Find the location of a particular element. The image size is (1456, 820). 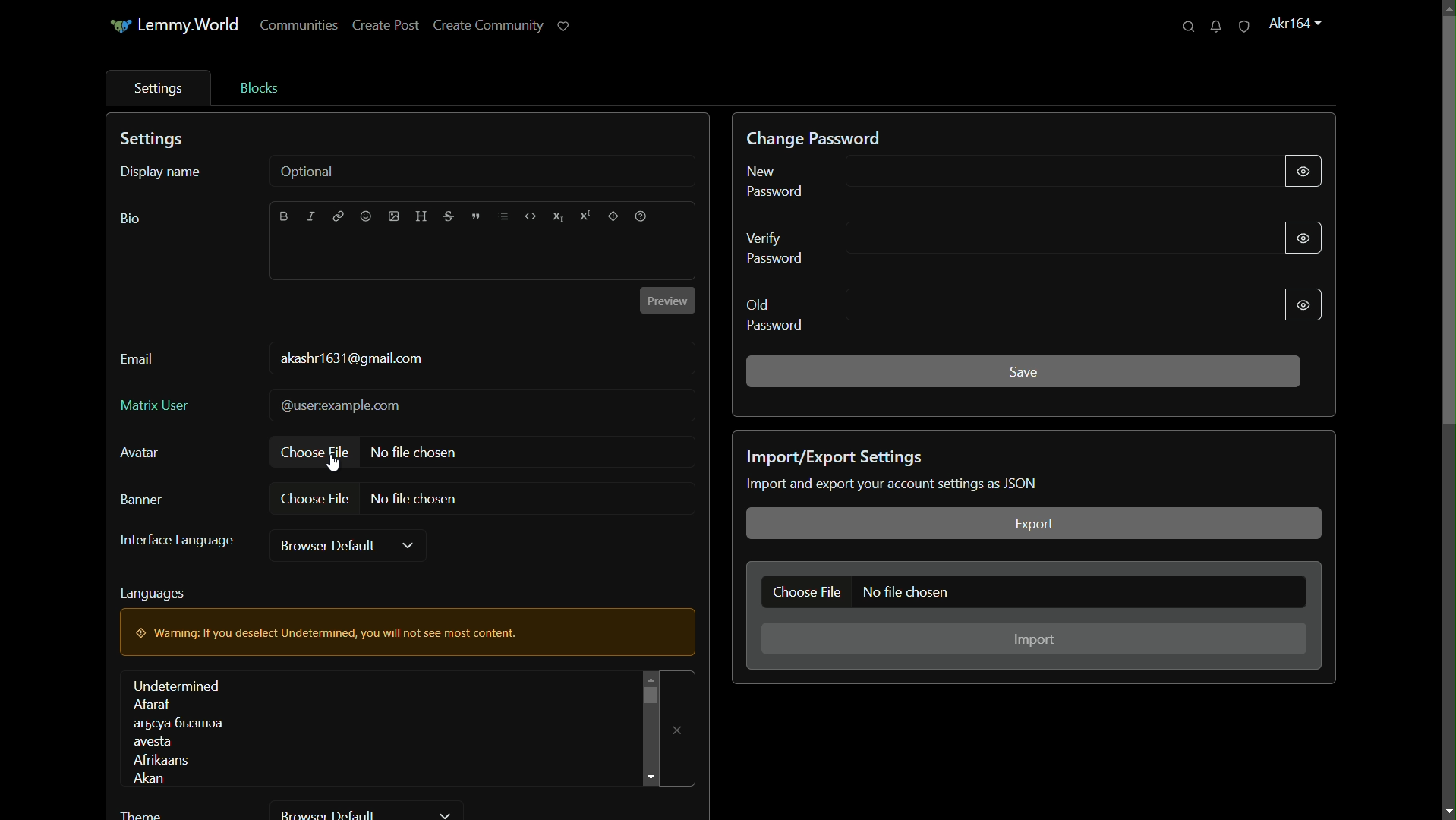

old password is located at coordinates (775, 314).